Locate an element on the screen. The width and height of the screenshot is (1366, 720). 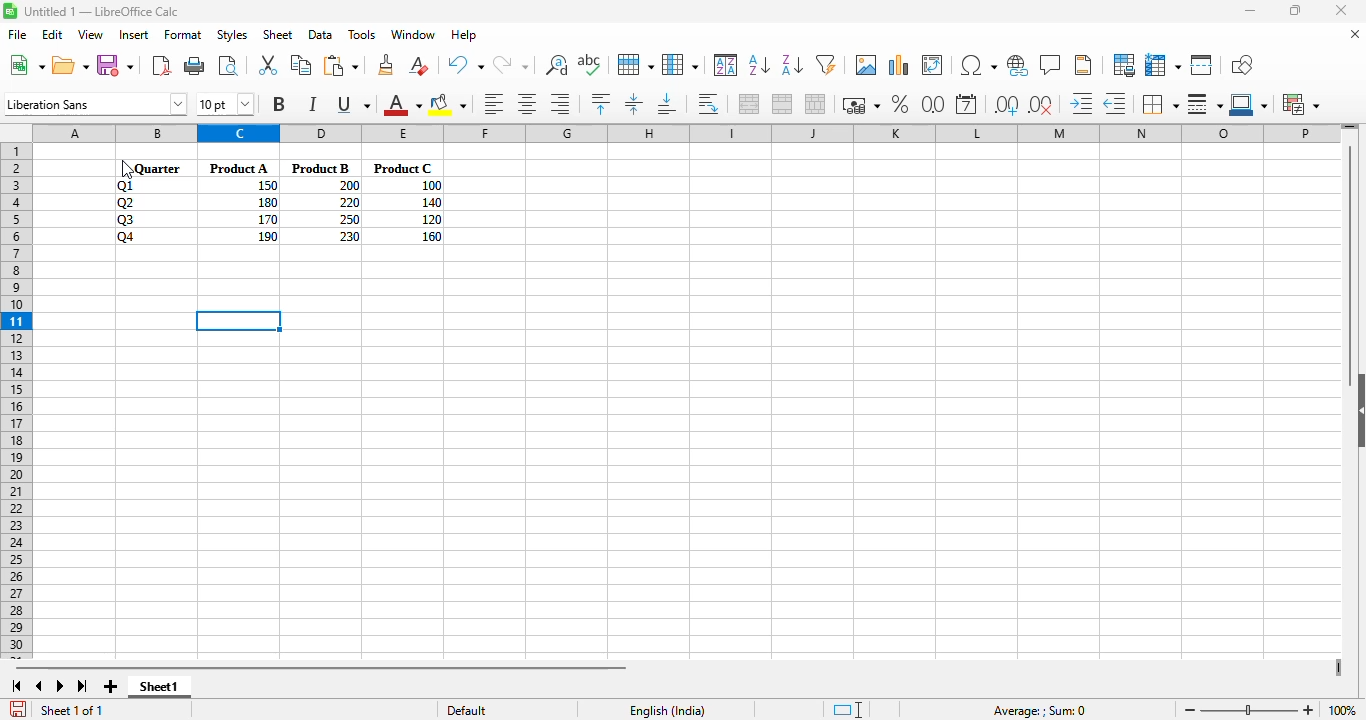
delete decimal is located at coordinates (1041, 104).